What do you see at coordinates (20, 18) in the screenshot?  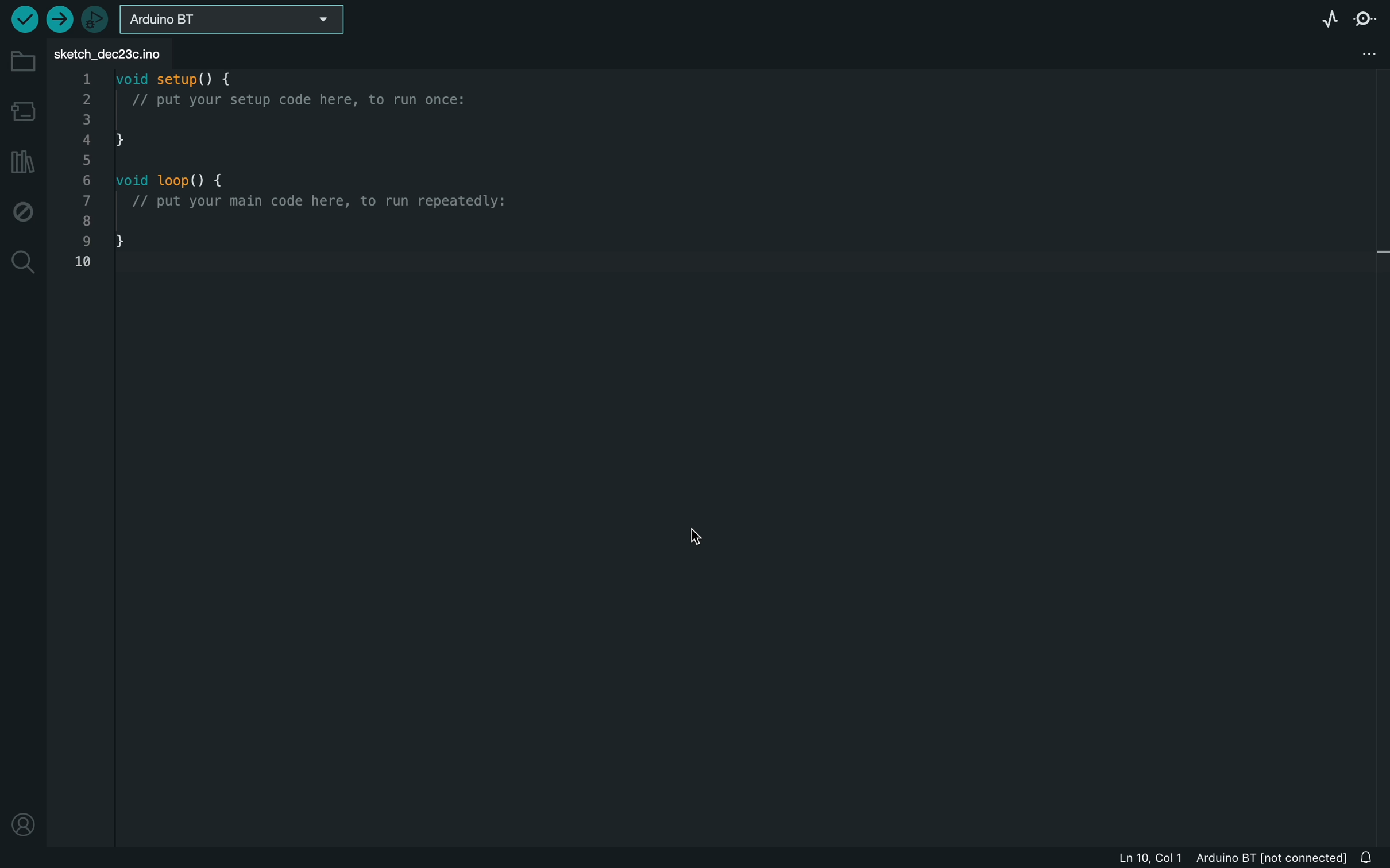 I see `verify` at bounding box center [20, 18].